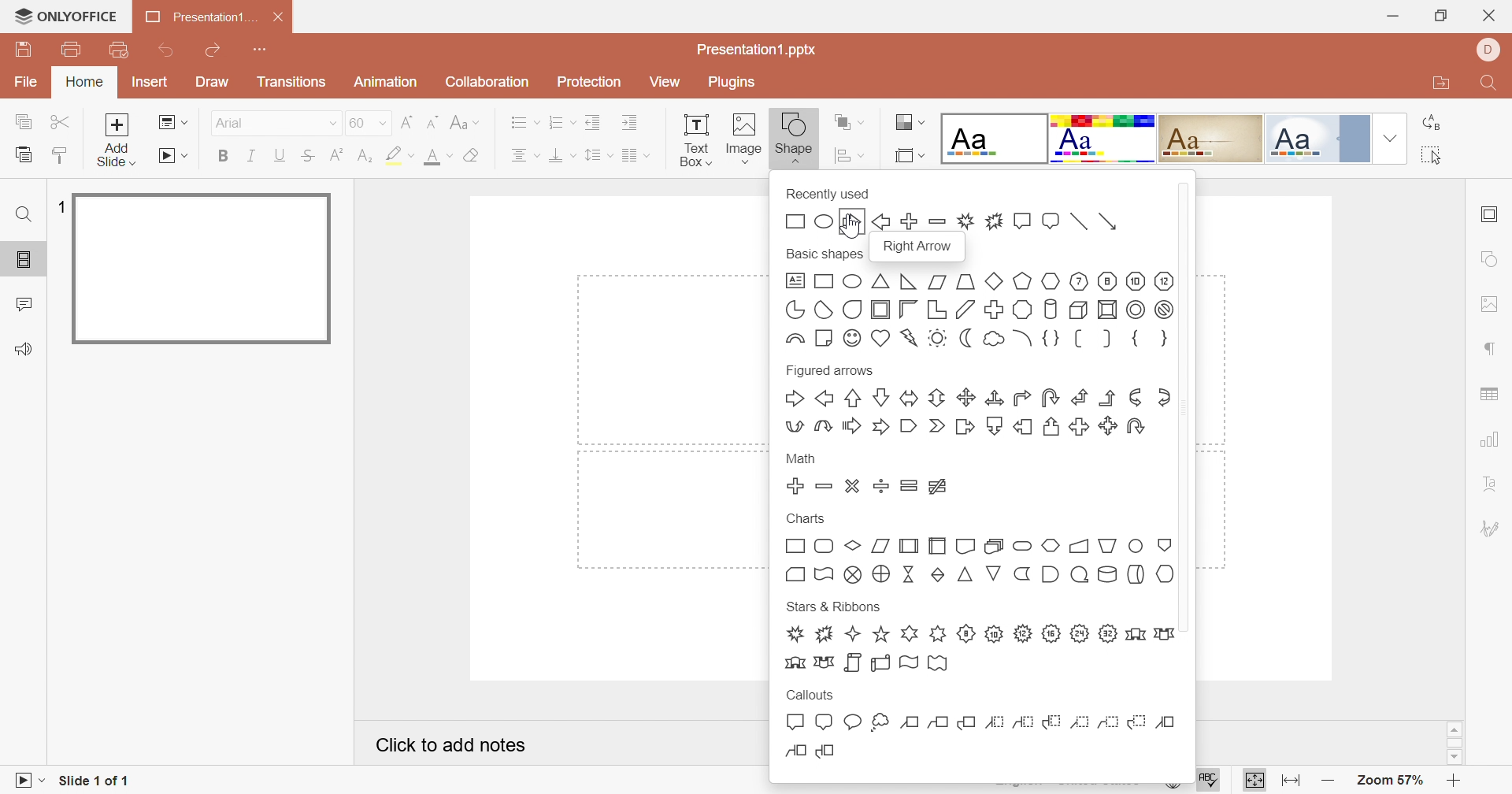 The image size is (1512, 794). I want to click on File, so click(26, 83).